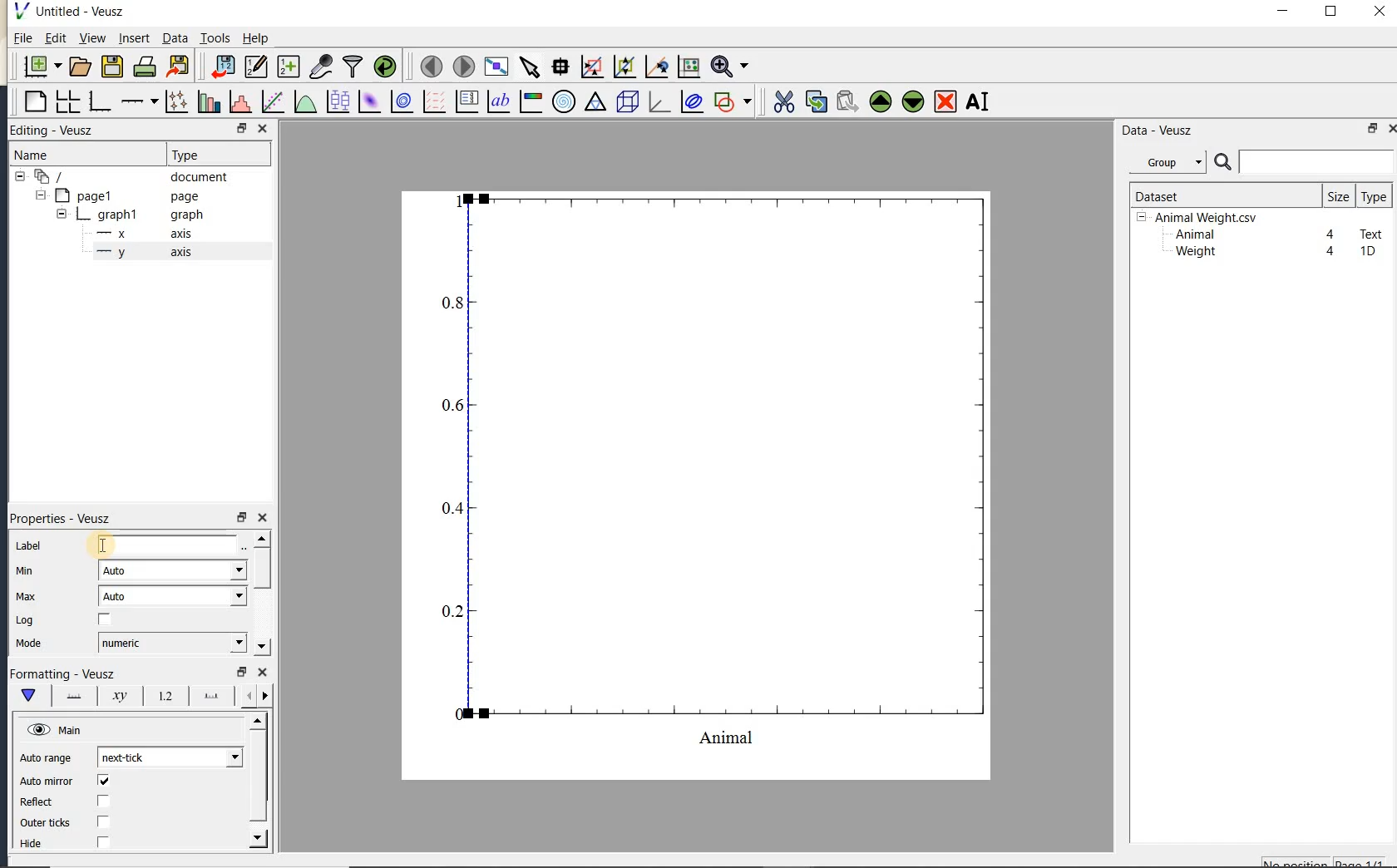 This screenshot has height=868, width=1397. I want to click on plot a vector field, so click(432, 102).